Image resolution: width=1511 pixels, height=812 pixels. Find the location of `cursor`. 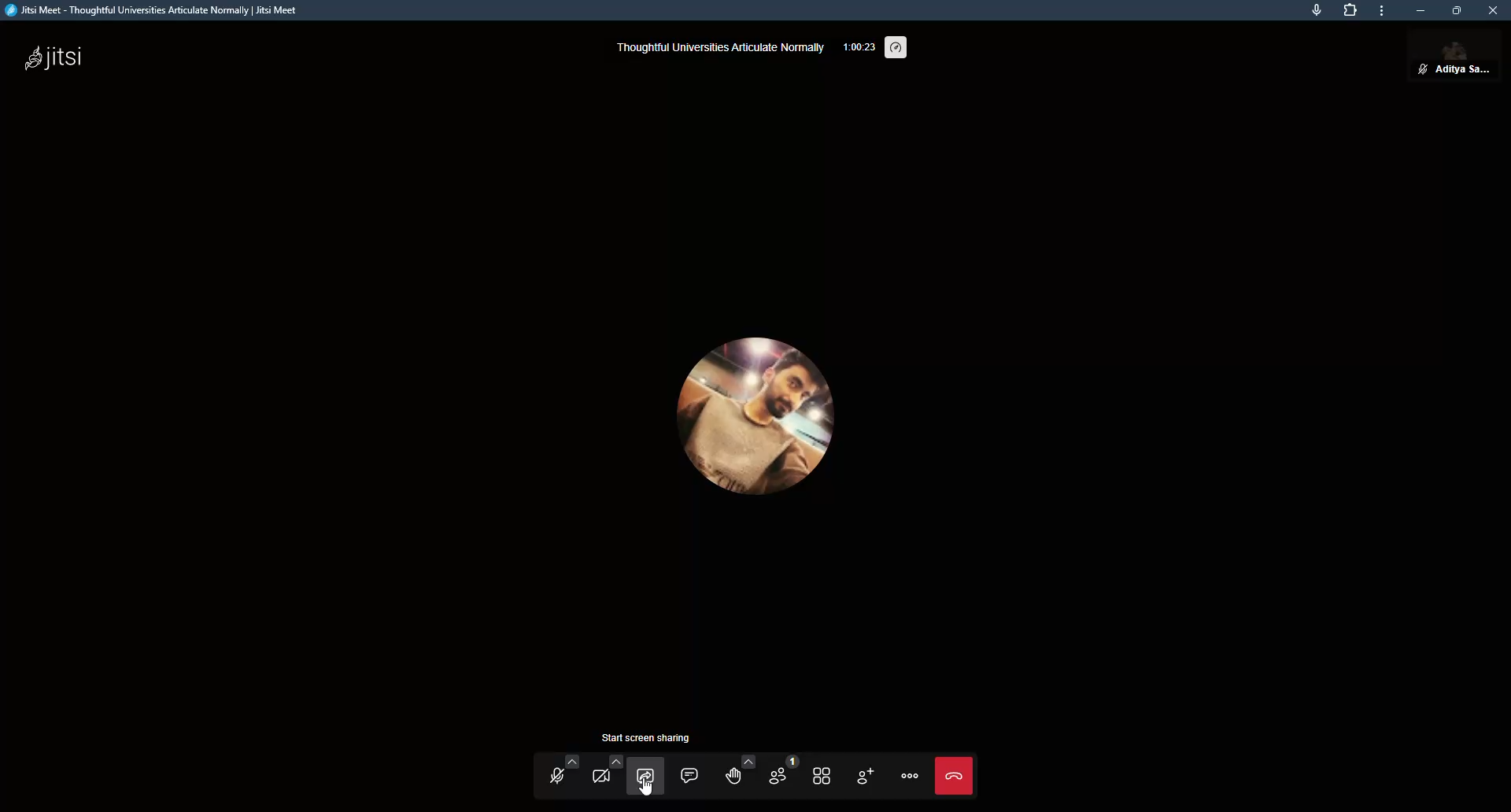

cursor is located at coordinates (645, 792).